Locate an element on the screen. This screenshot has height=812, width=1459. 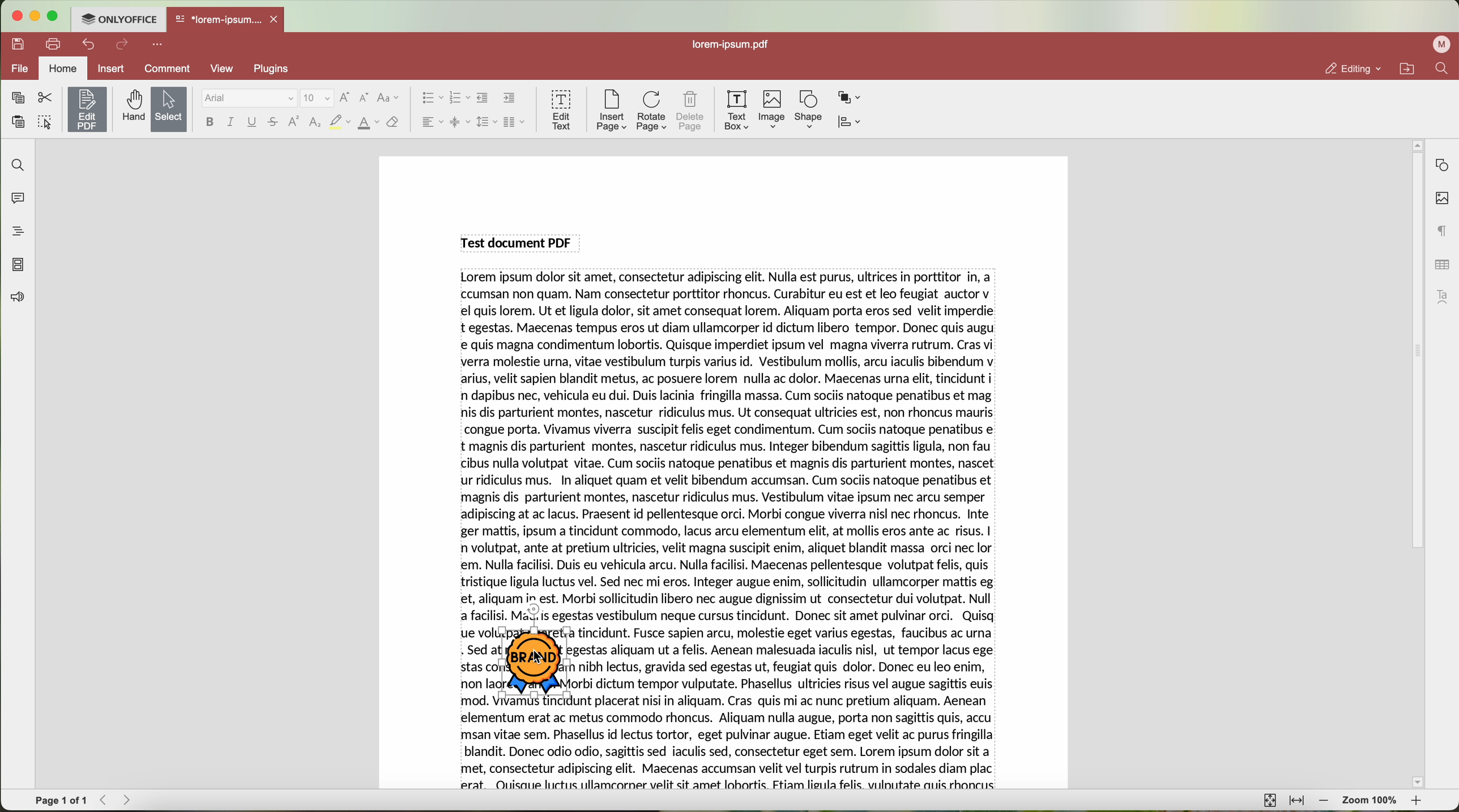
Backward is located at coordinates (107, 800).